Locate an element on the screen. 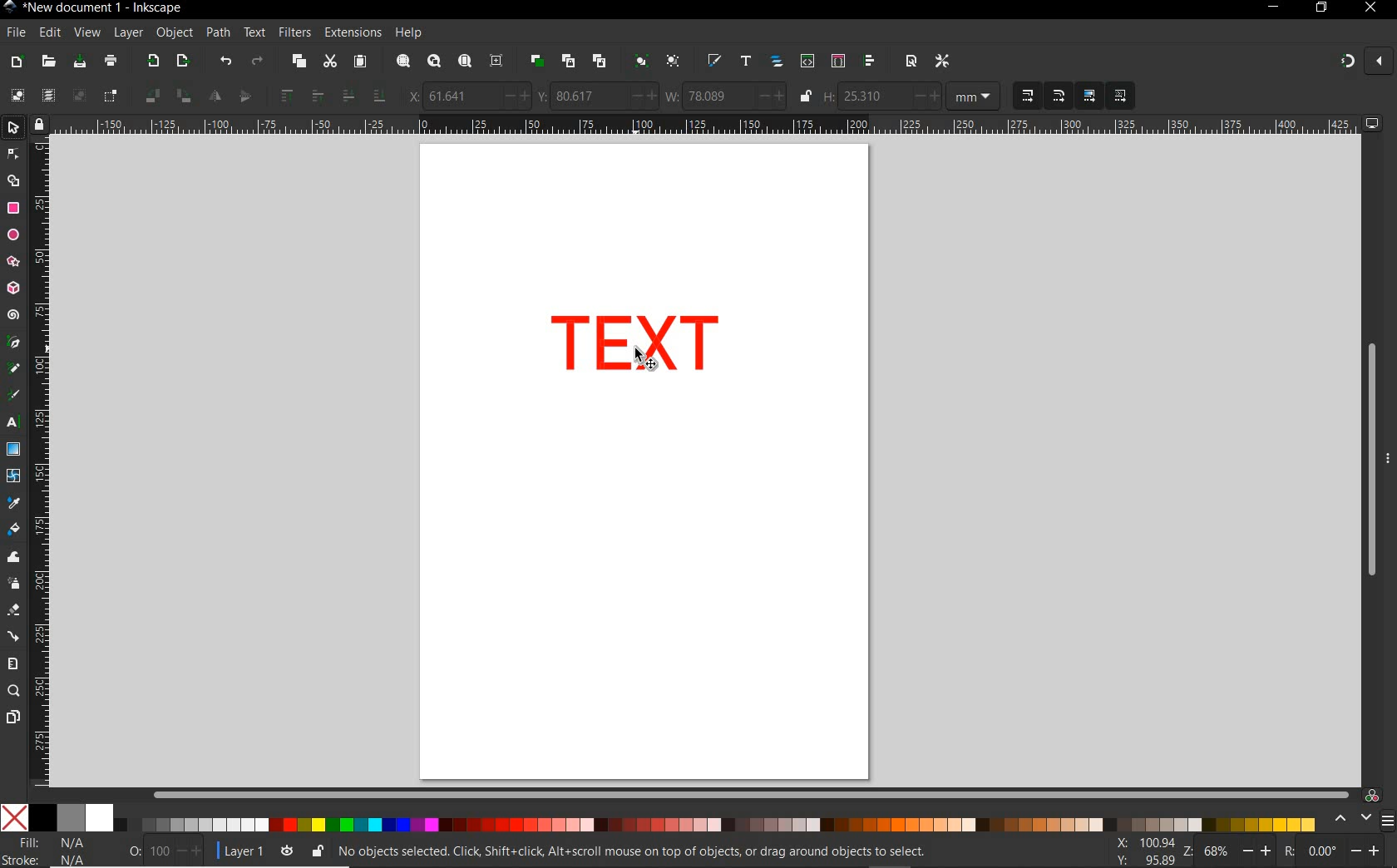 The height and width of the screenshot is (868, 1397). deselect is located at coordinates (77, 96).